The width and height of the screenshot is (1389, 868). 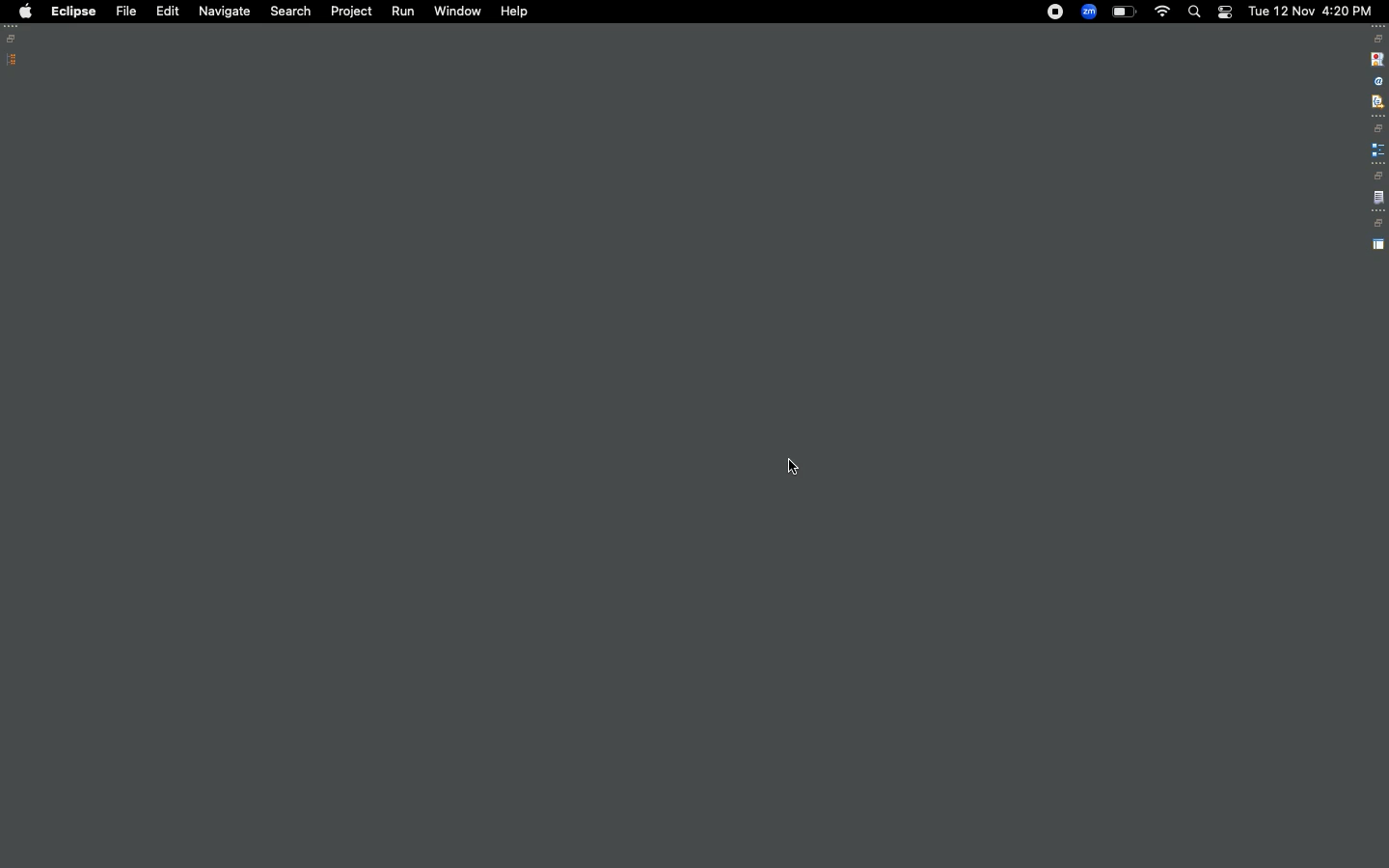 I want to click on File, so click(x=124, y=11).